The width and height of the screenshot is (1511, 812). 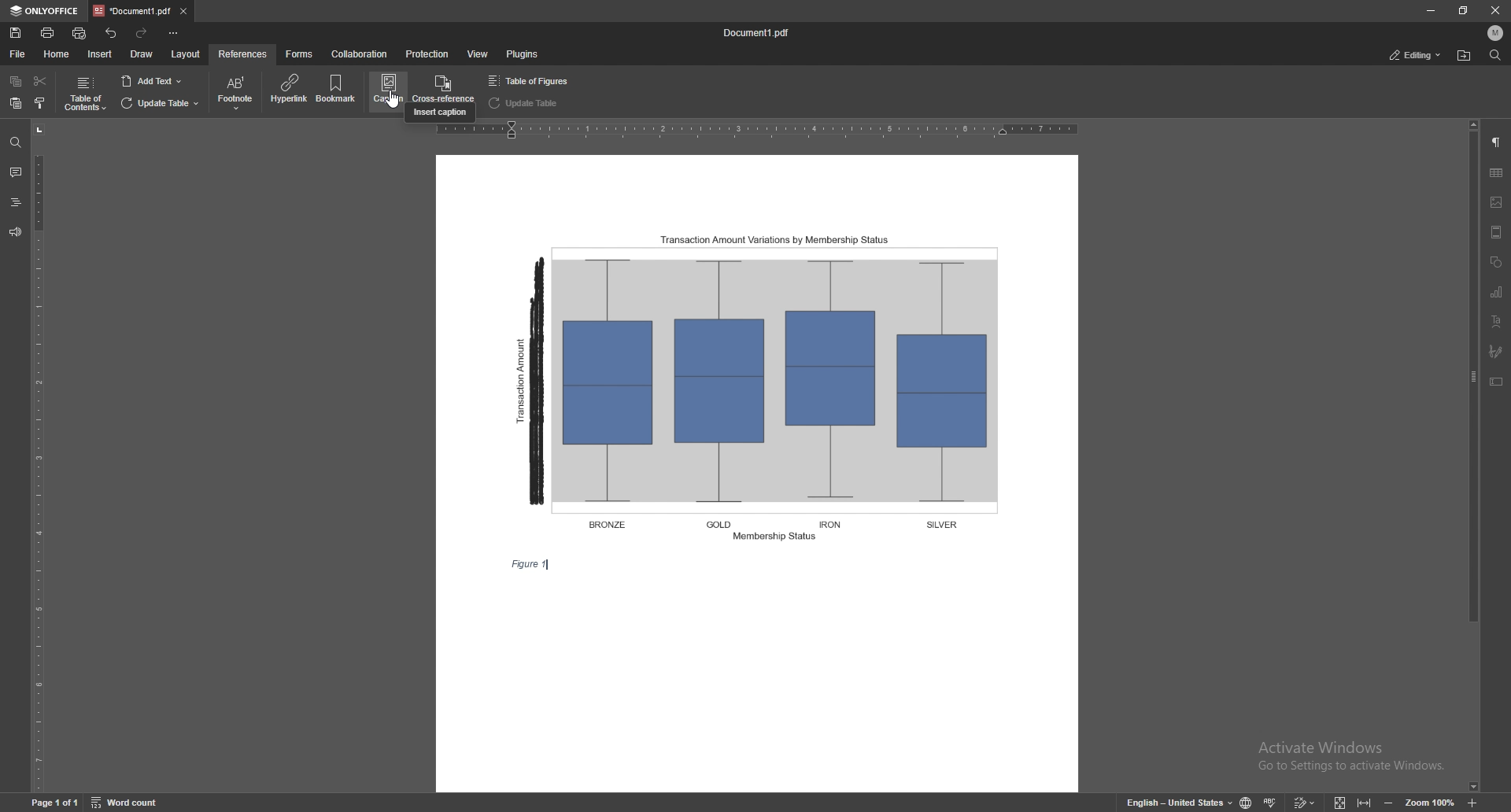 What do you see at coordinates (1430, 11) in the screenshot?
I see `minimize` at bounding box center [1430, 11].